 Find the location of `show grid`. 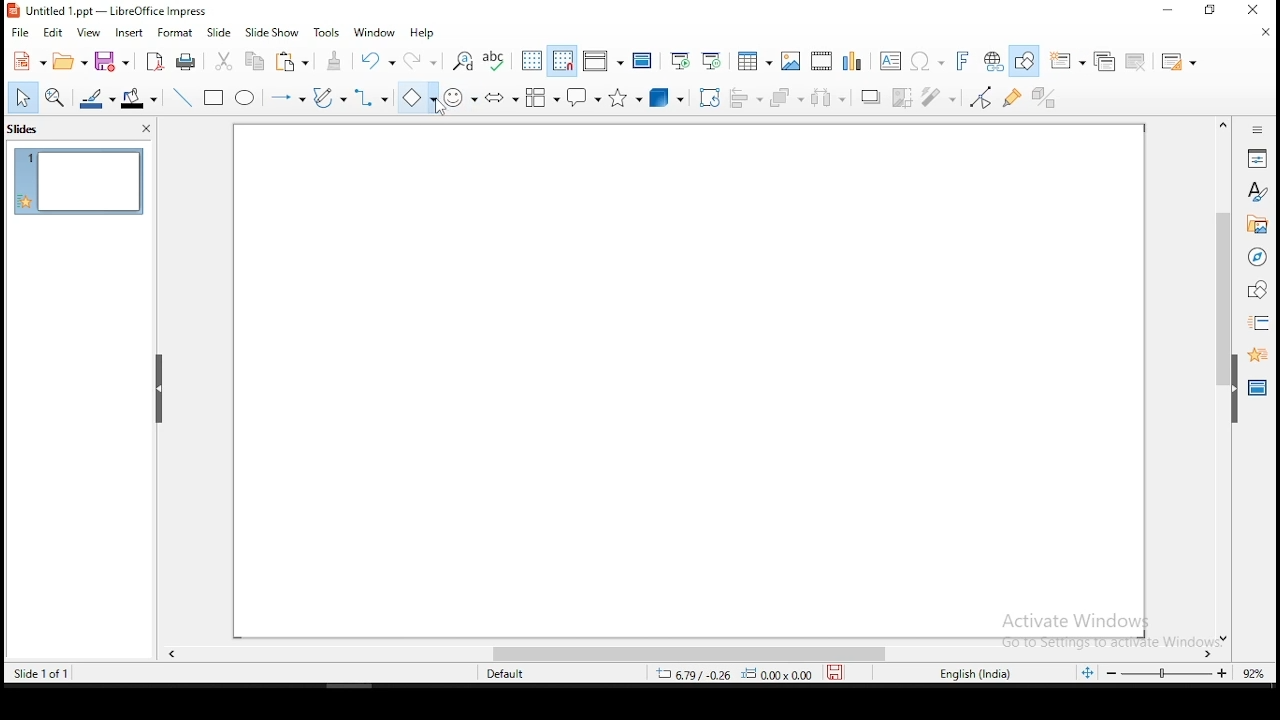

show grid is located at coordinates (531, 60).